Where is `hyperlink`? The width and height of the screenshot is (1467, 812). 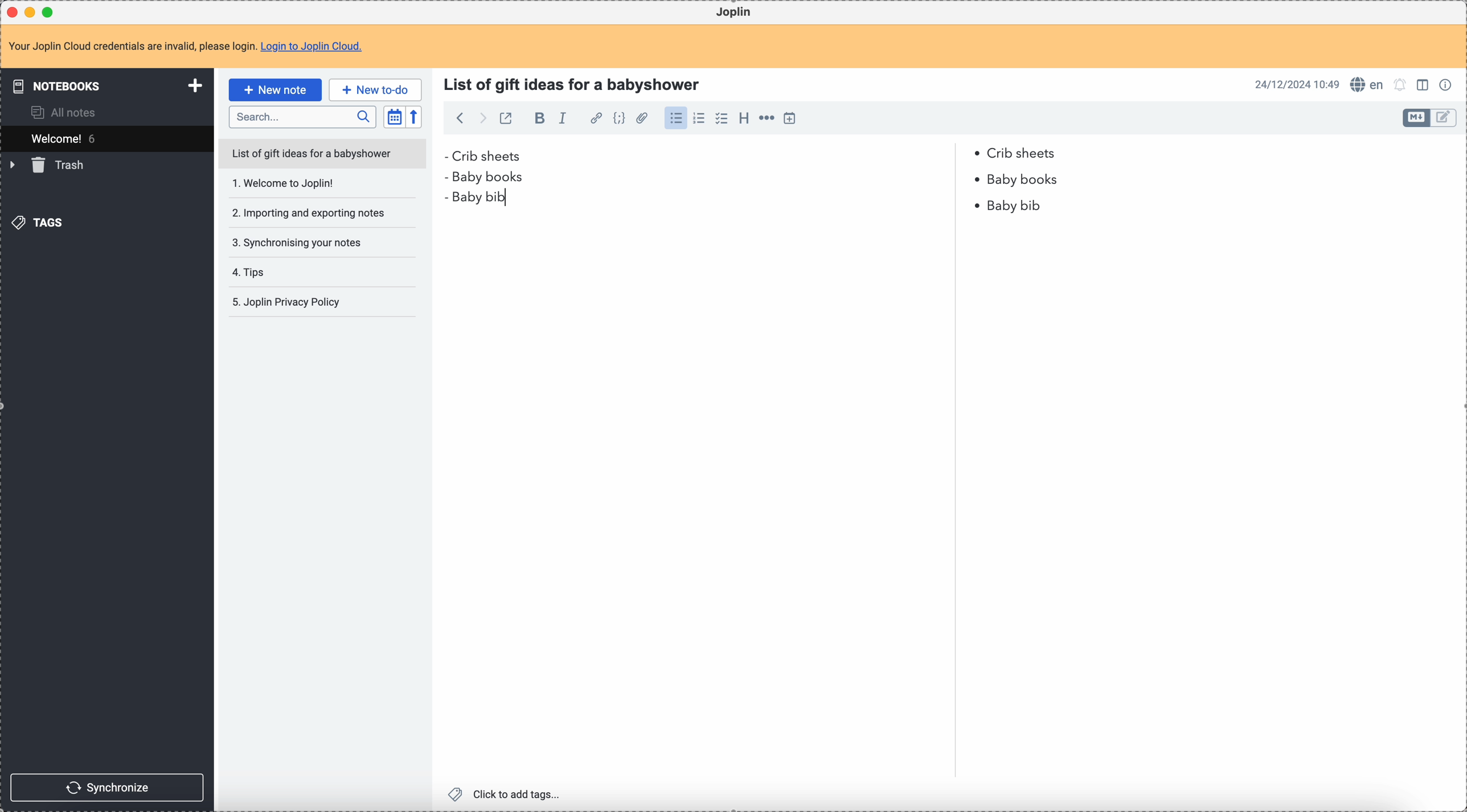 hyperlink is located at coordinates (596, 119).